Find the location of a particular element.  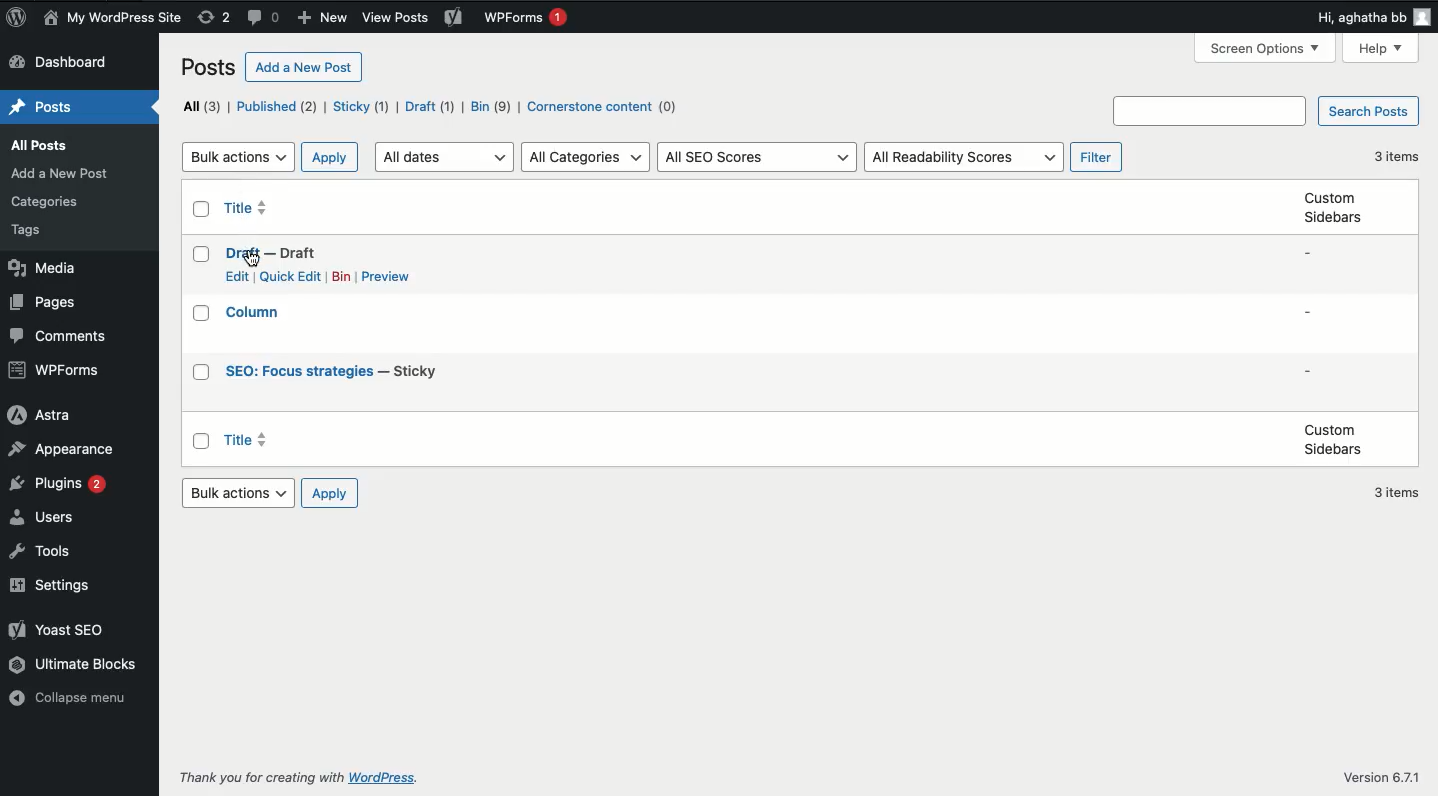

Yoast is located at coordinates (456, 18).